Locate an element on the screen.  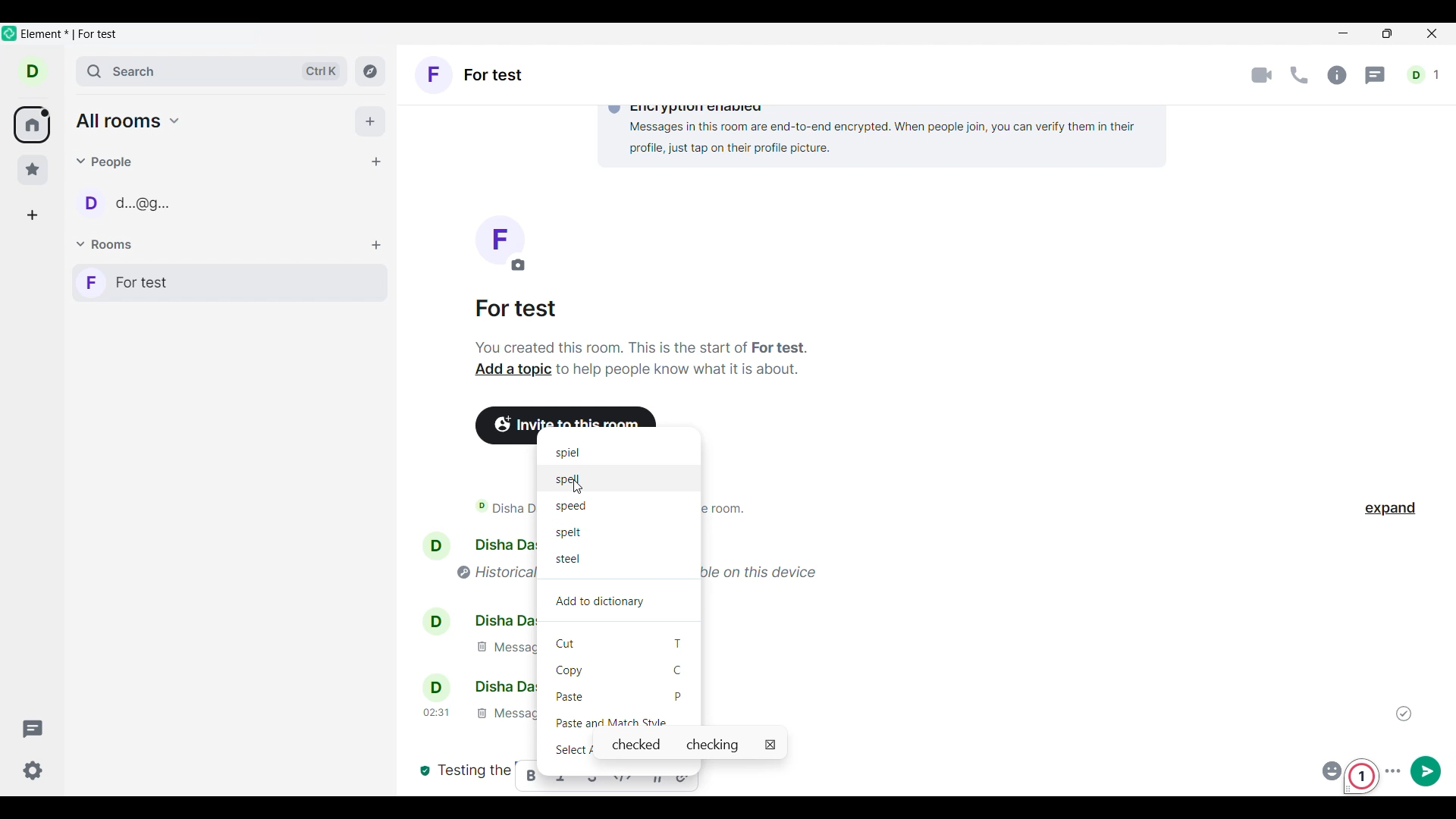
Software and room name is located at coordinates (73, 35).